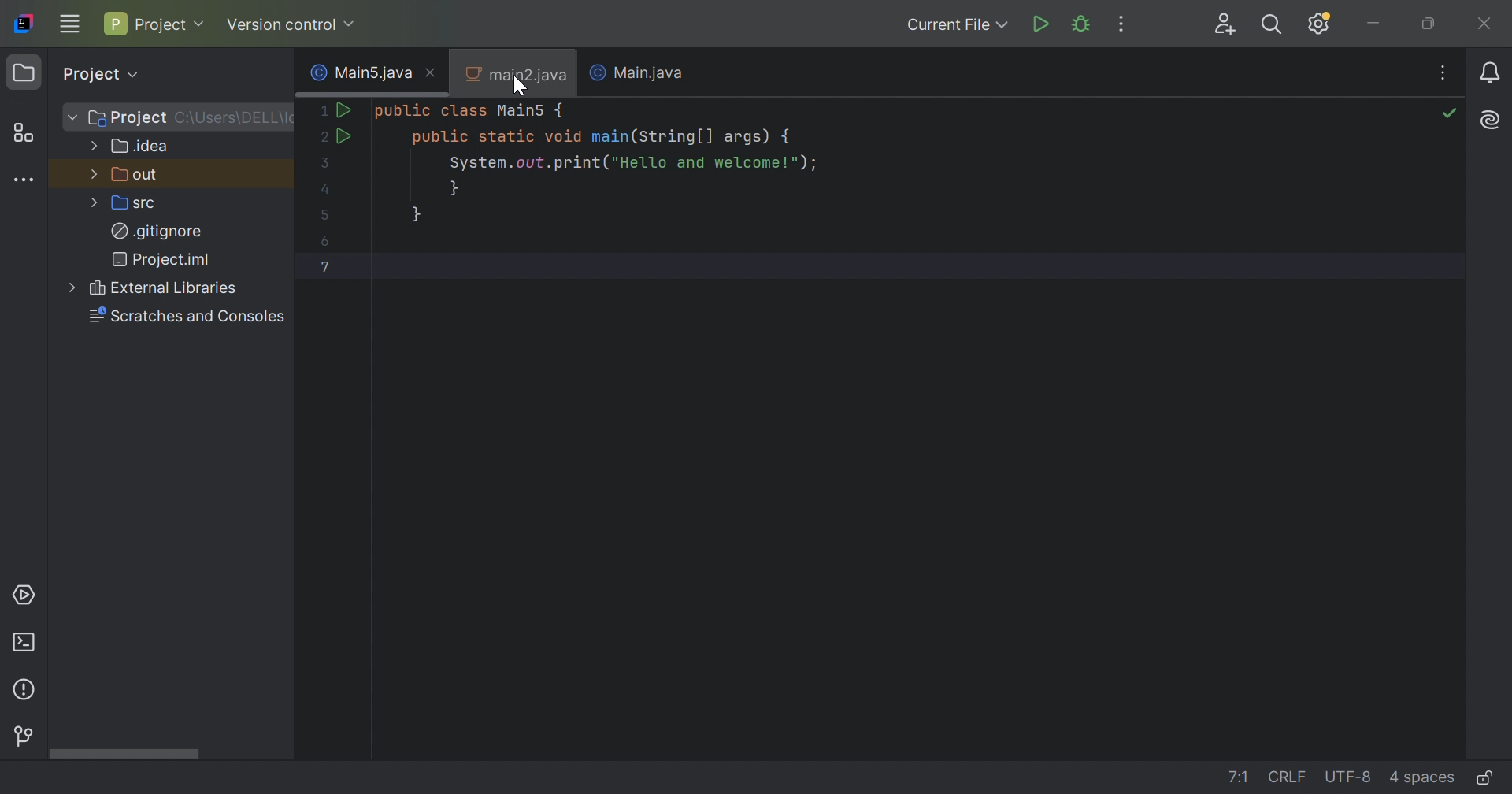  I want to click on }, so click(418, 214).